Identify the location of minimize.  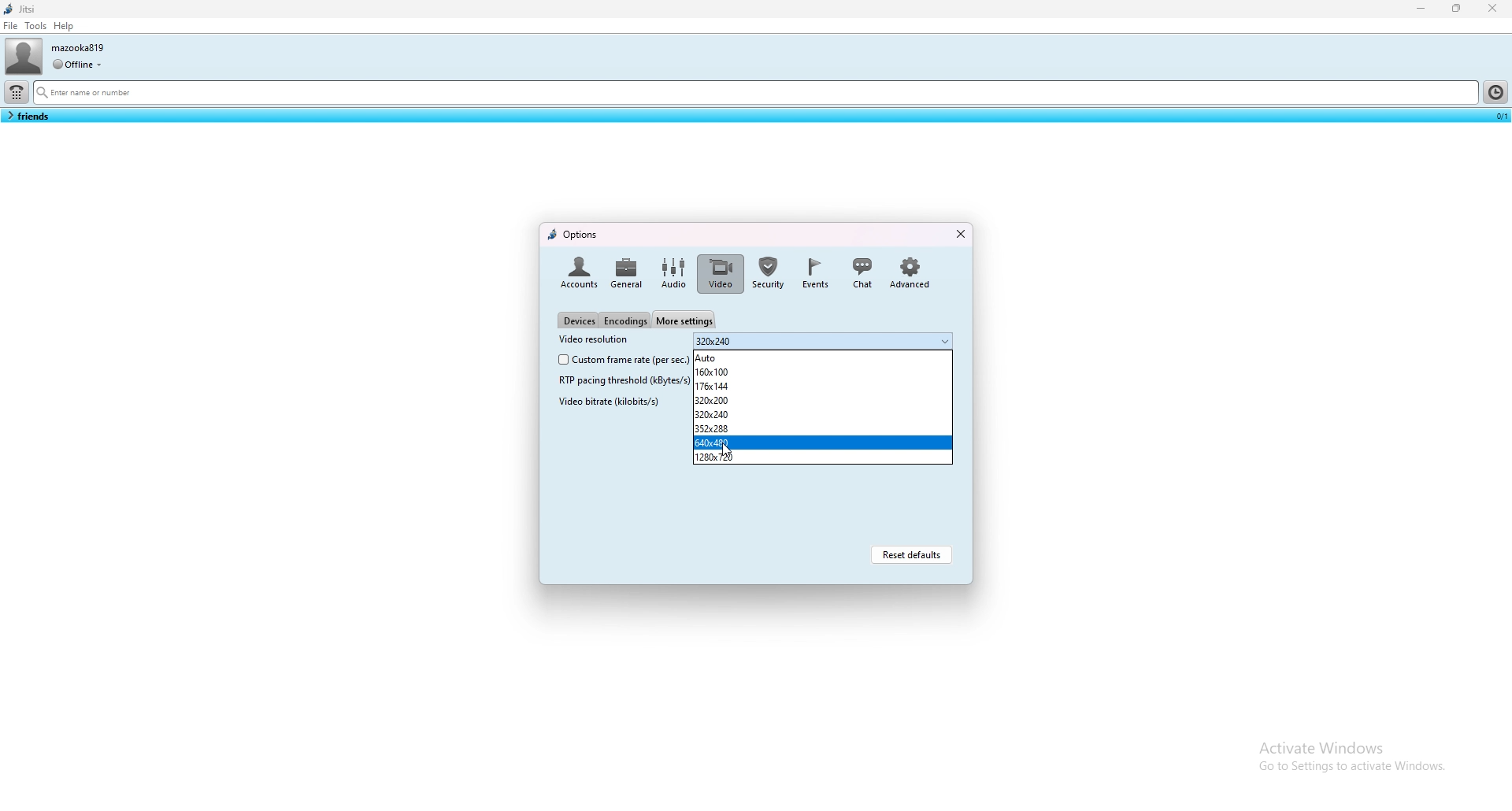
(1422, 8).